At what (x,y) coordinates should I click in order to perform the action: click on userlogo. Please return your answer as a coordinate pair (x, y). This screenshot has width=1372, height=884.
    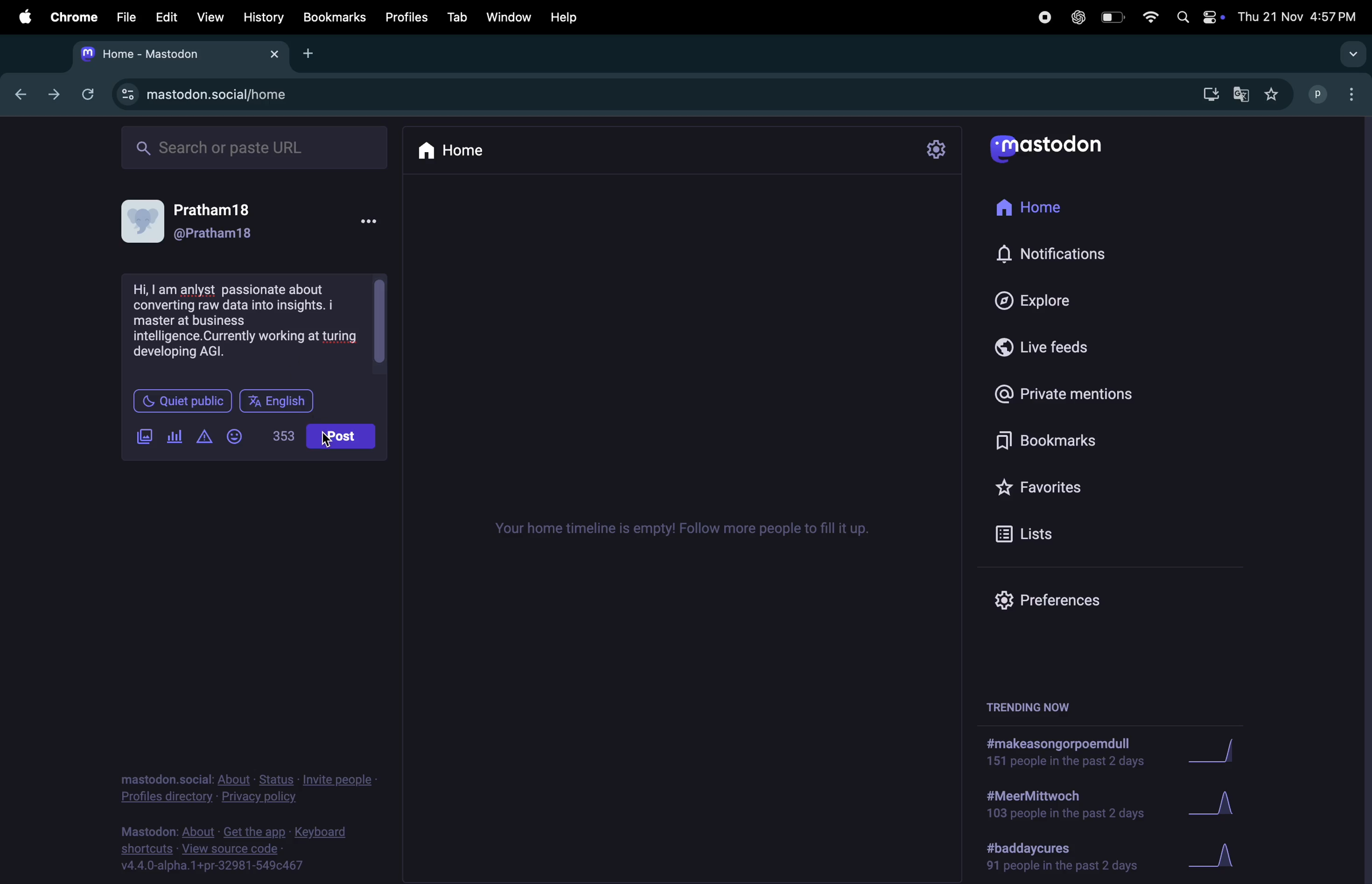
    Looking at the image, I should click on (1045, 149).